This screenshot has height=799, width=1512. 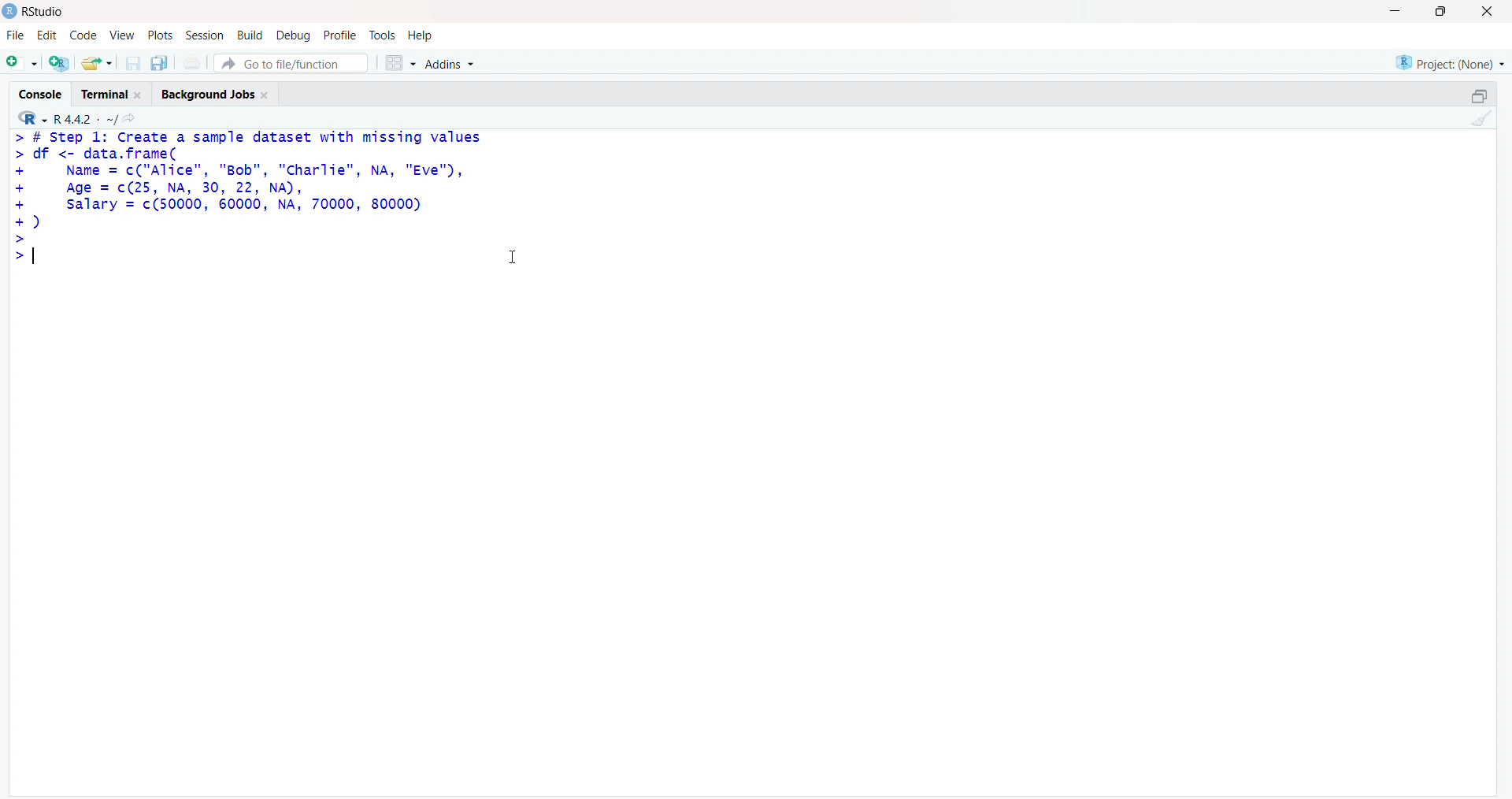 I want to click on Open an existing file (Ctrl + O), so click(x=94, y=63).